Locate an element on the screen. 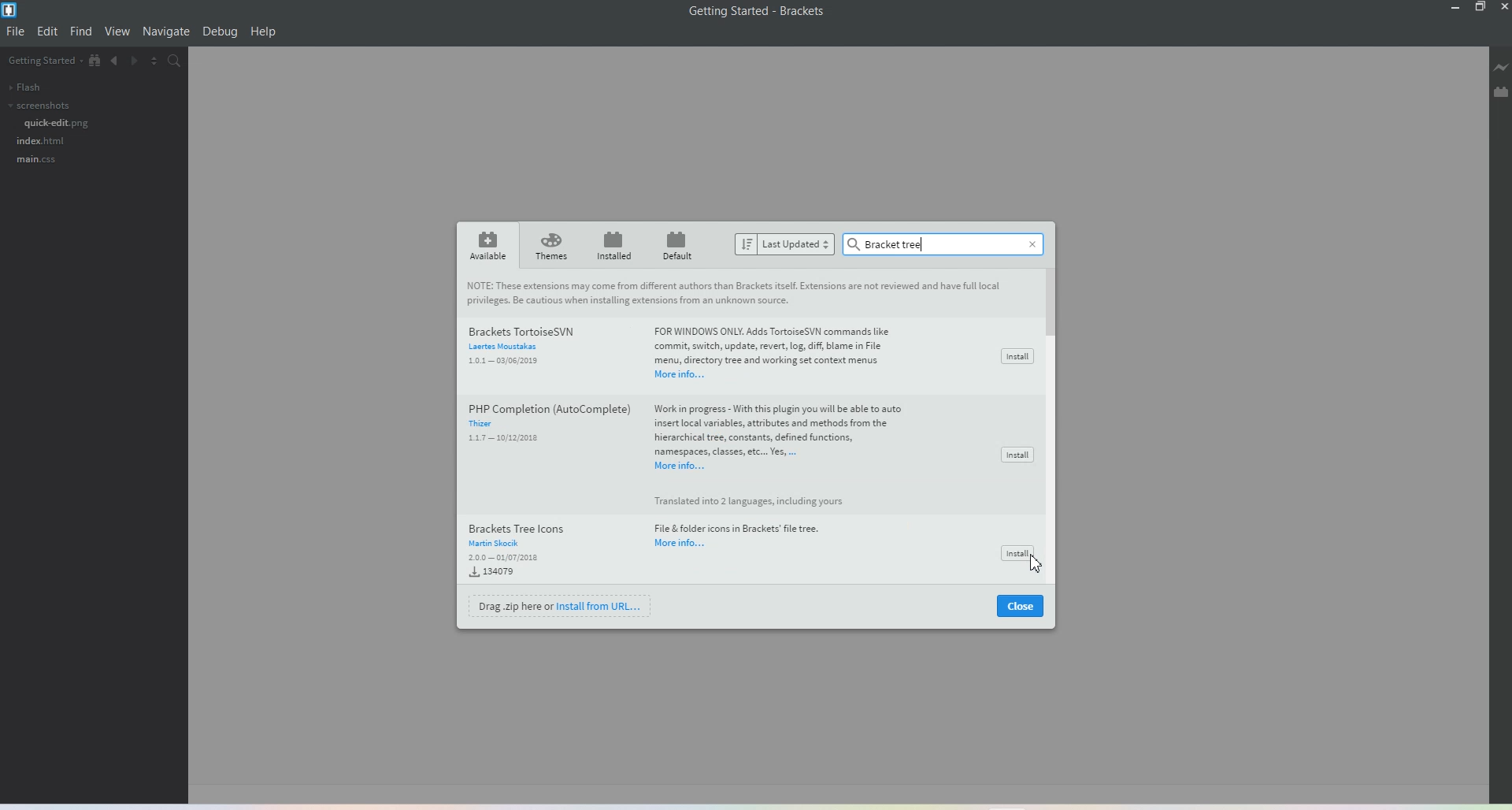  main.css is located at coordinates (35, 160).